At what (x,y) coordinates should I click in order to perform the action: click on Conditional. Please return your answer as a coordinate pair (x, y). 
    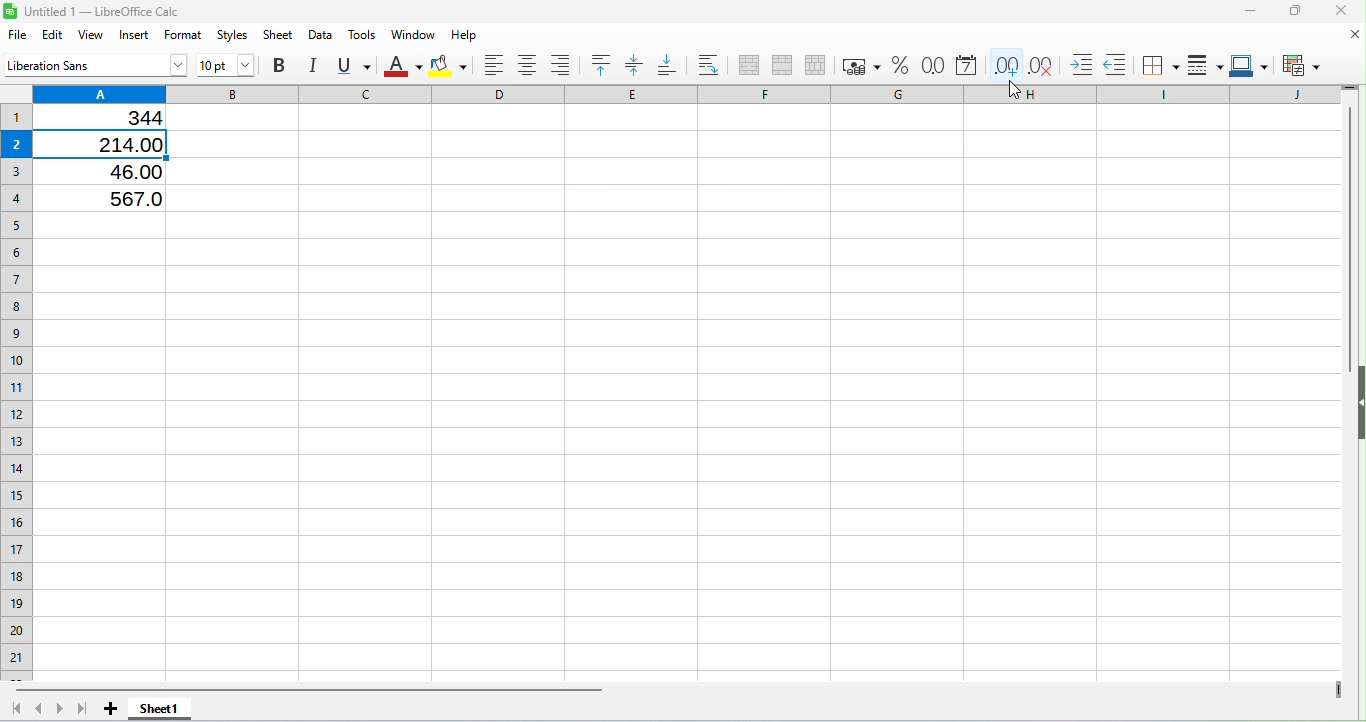
    Looking at the image, I should click on (1300, 64).